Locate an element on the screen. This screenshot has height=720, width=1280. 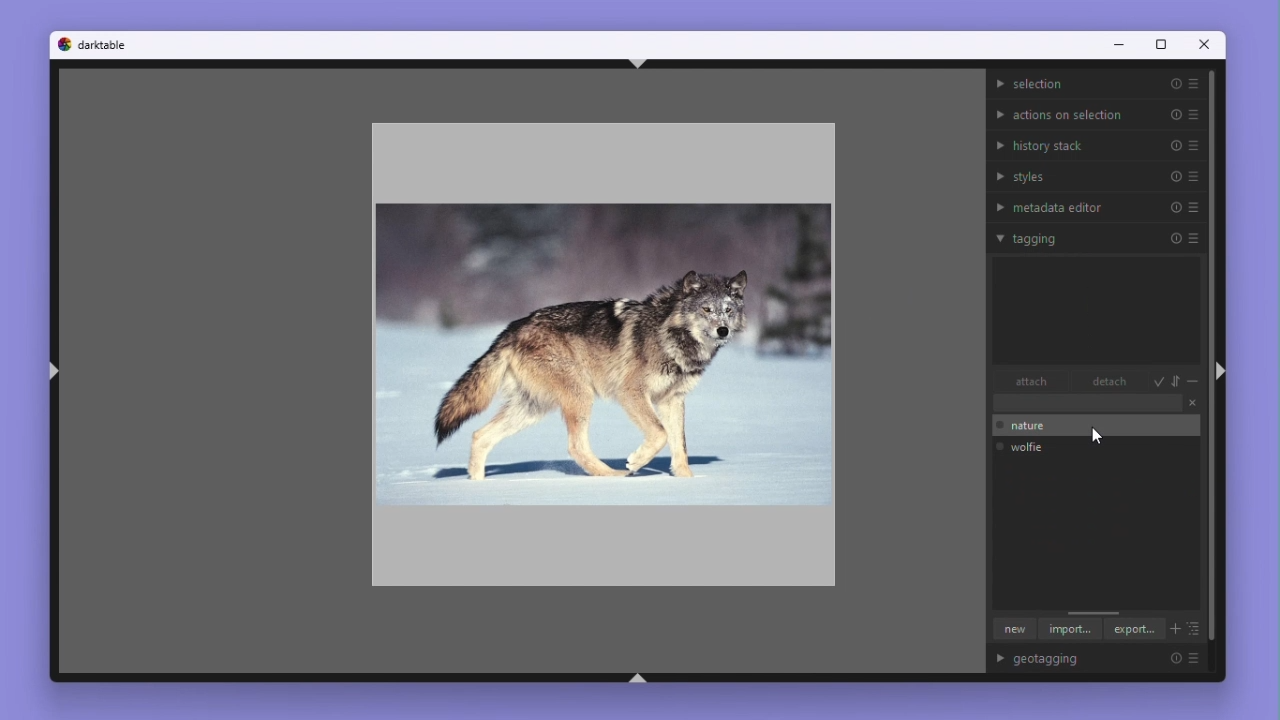
Minimise is located at coordinates (1116, 46).